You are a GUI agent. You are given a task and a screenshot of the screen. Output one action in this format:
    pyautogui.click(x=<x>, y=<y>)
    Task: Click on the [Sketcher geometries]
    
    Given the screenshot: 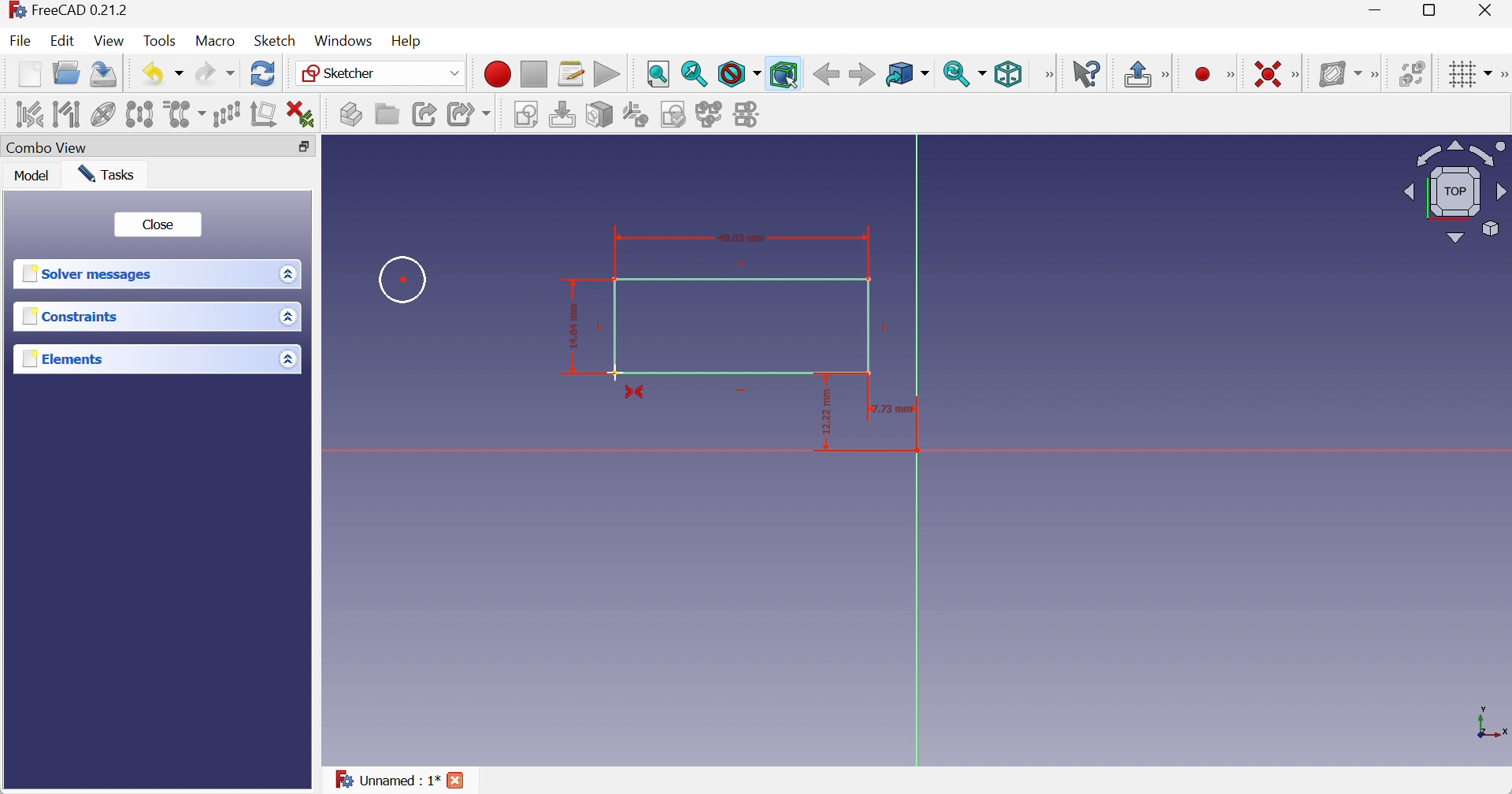 What is the action you would take?
    pyautogui.click(x=1230, y=75)
    